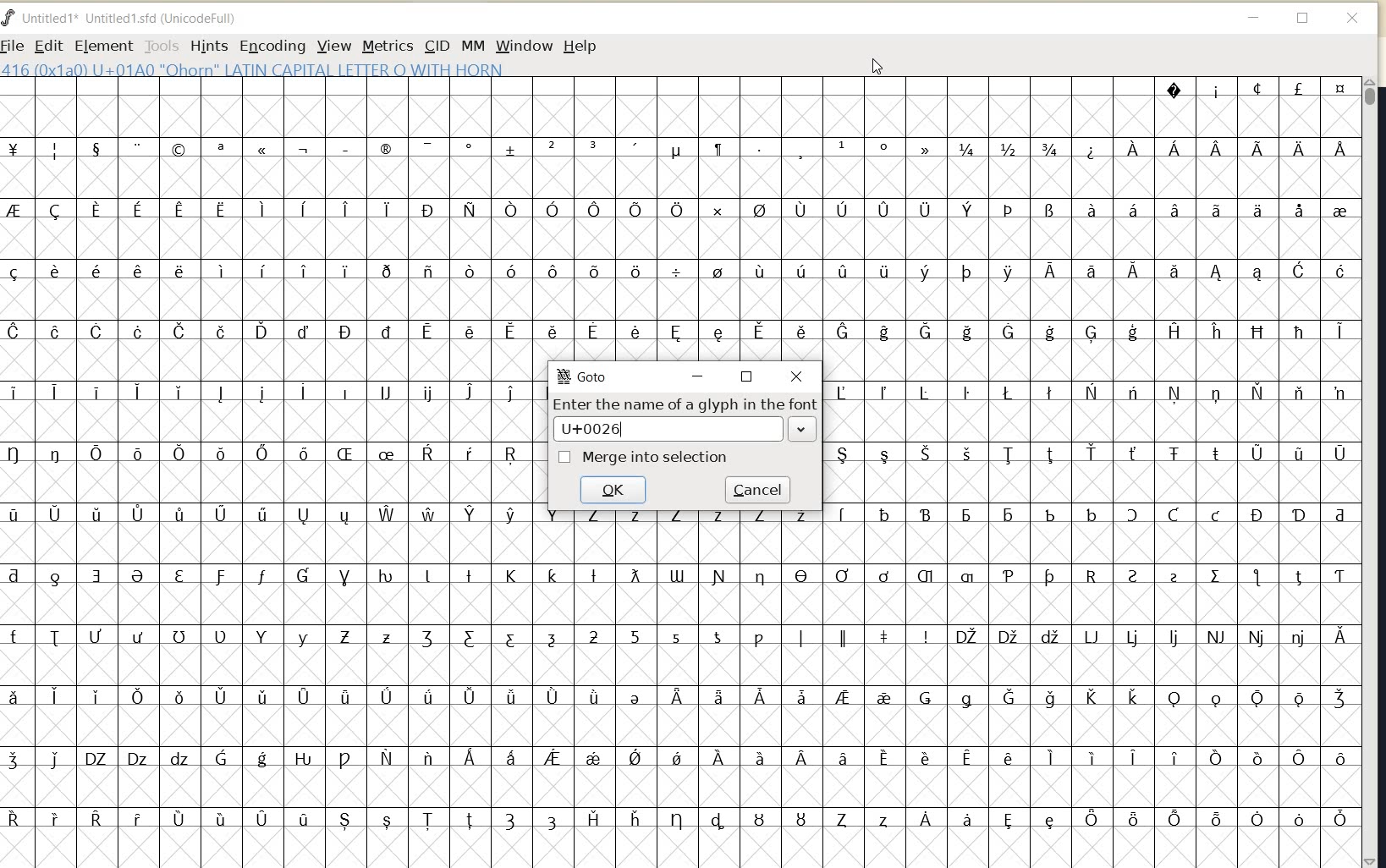 The height and width of the screenshot is (868, 1386). Describe the element at coordinates (679, 219) in the screenshot. I see `glyph characters & numbers` at that location.